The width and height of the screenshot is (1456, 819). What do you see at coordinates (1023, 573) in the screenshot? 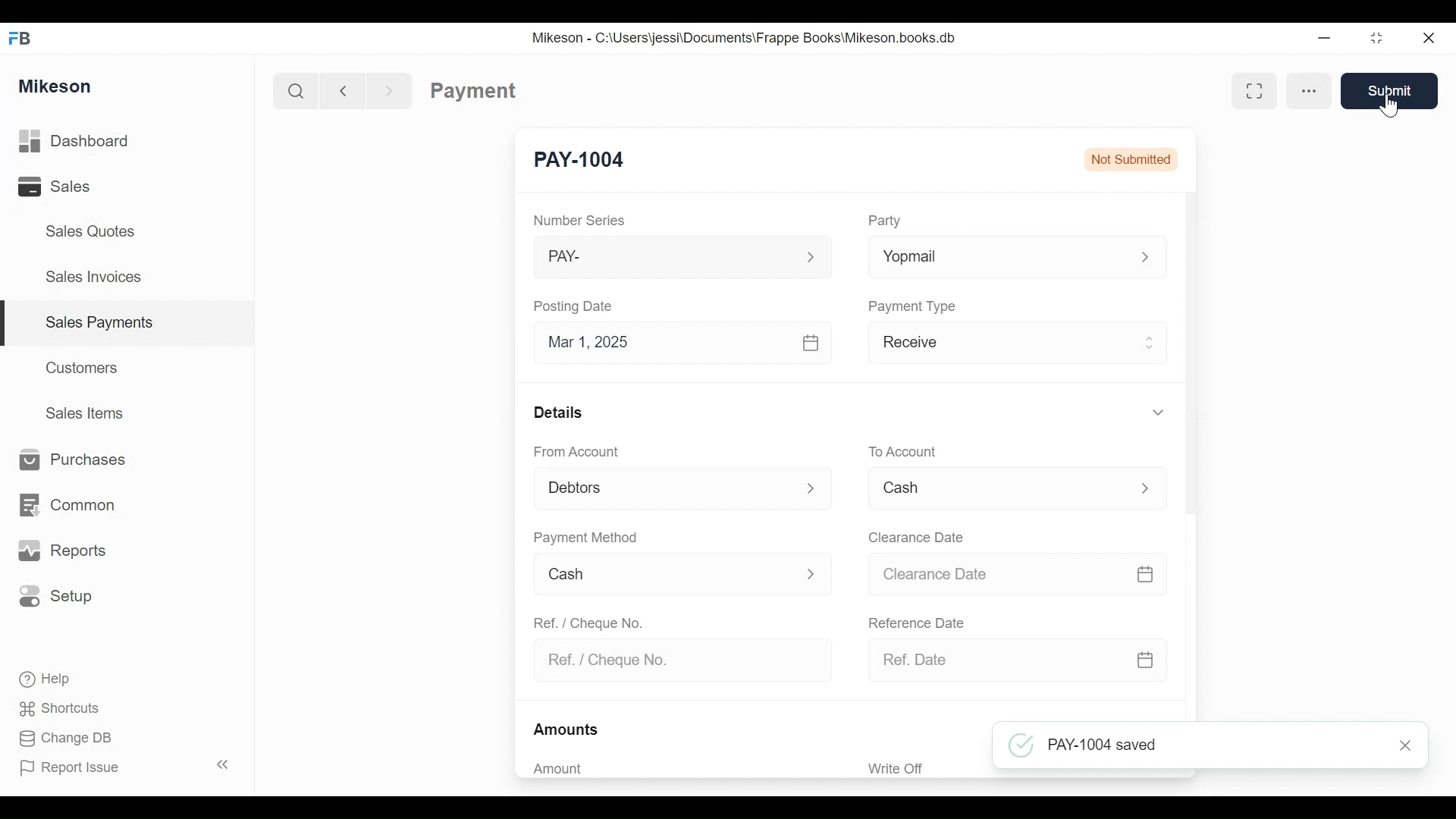
I see `Clearance date` at bounding box center [1023, 573].